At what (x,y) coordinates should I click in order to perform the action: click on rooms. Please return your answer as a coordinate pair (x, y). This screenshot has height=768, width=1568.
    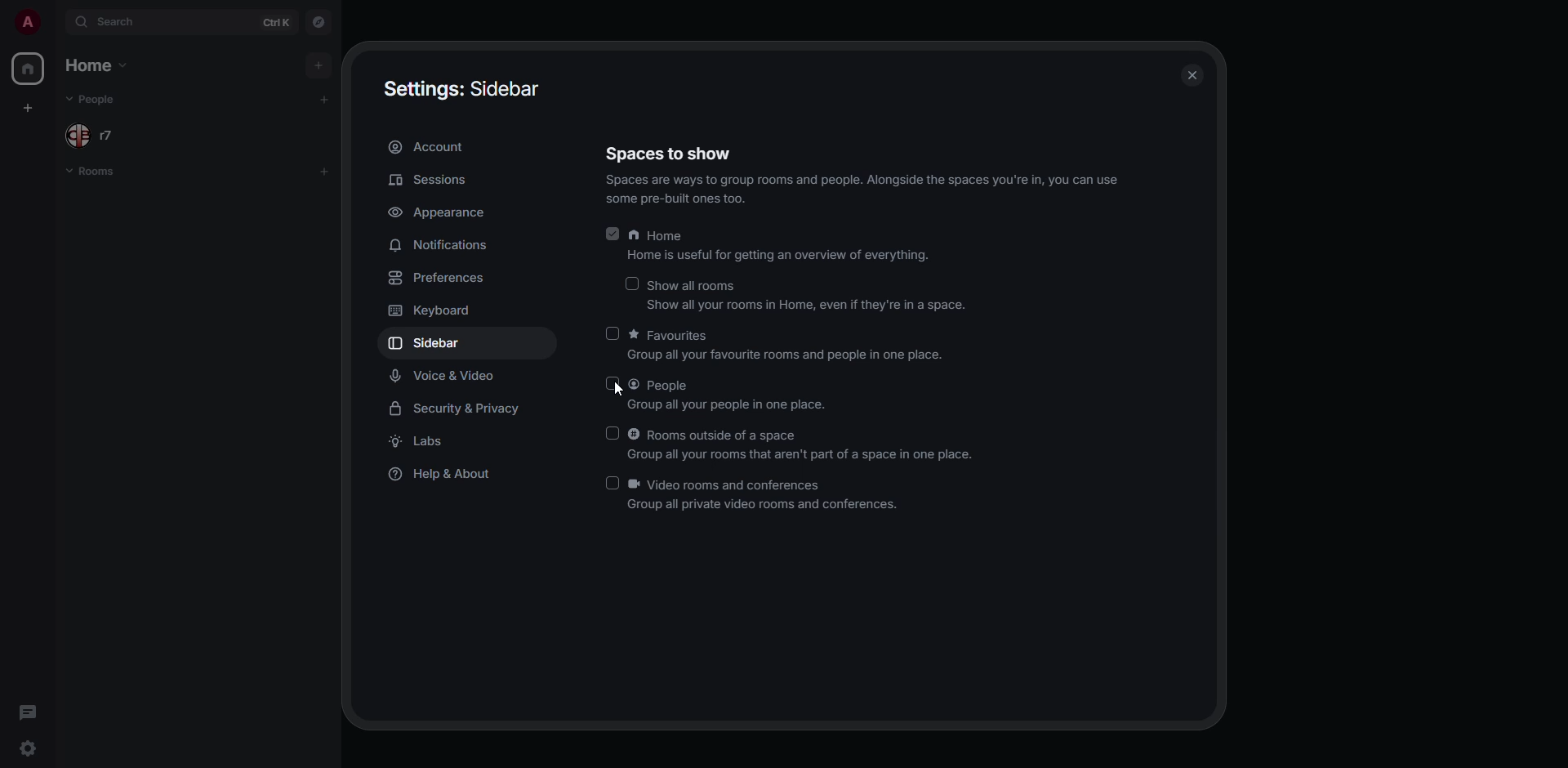
    Looking at the image, I should click on (91, 175).